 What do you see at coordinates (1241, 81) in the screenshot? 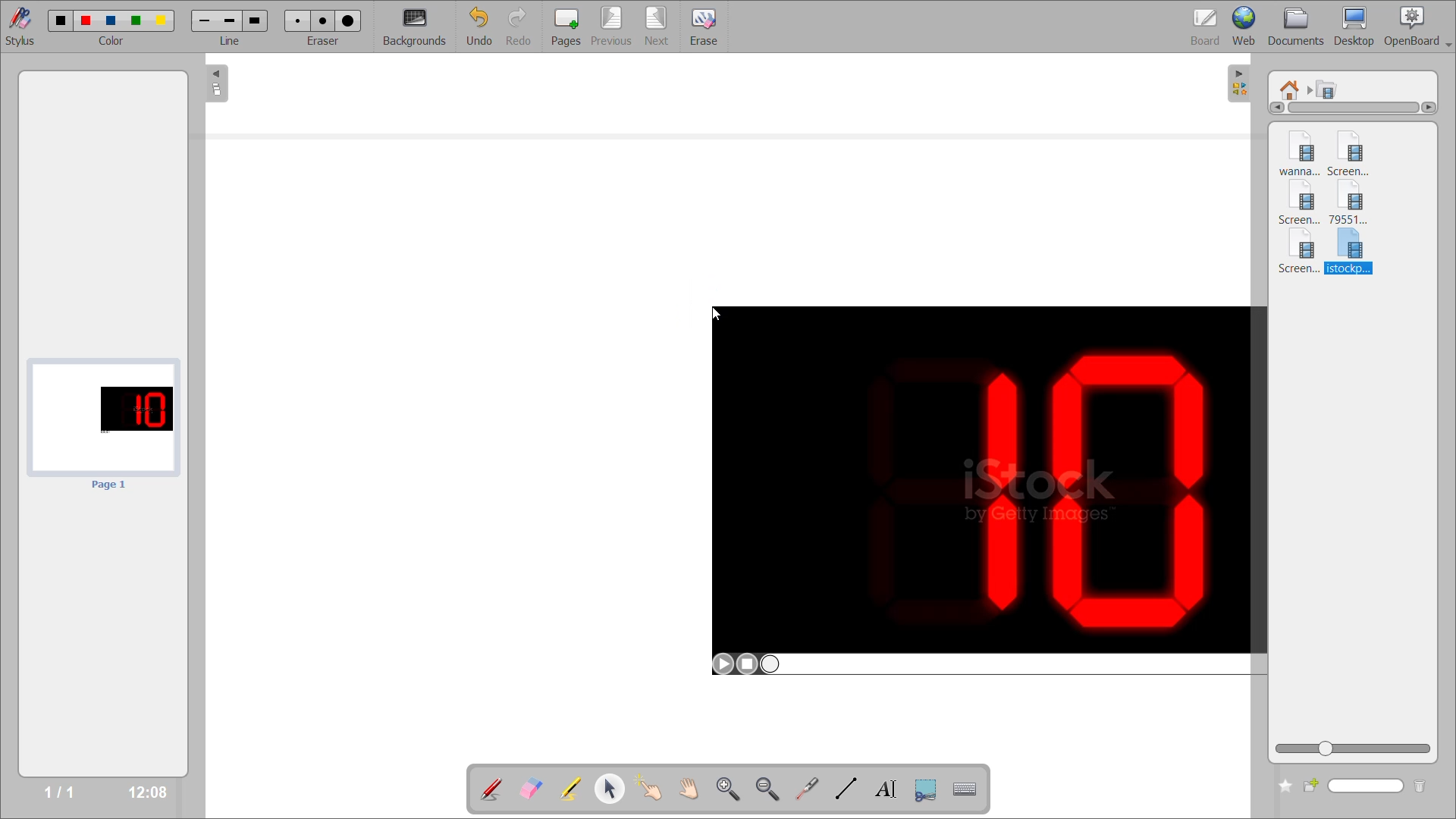
I see `collapse` at bounding box center [1241, 81].